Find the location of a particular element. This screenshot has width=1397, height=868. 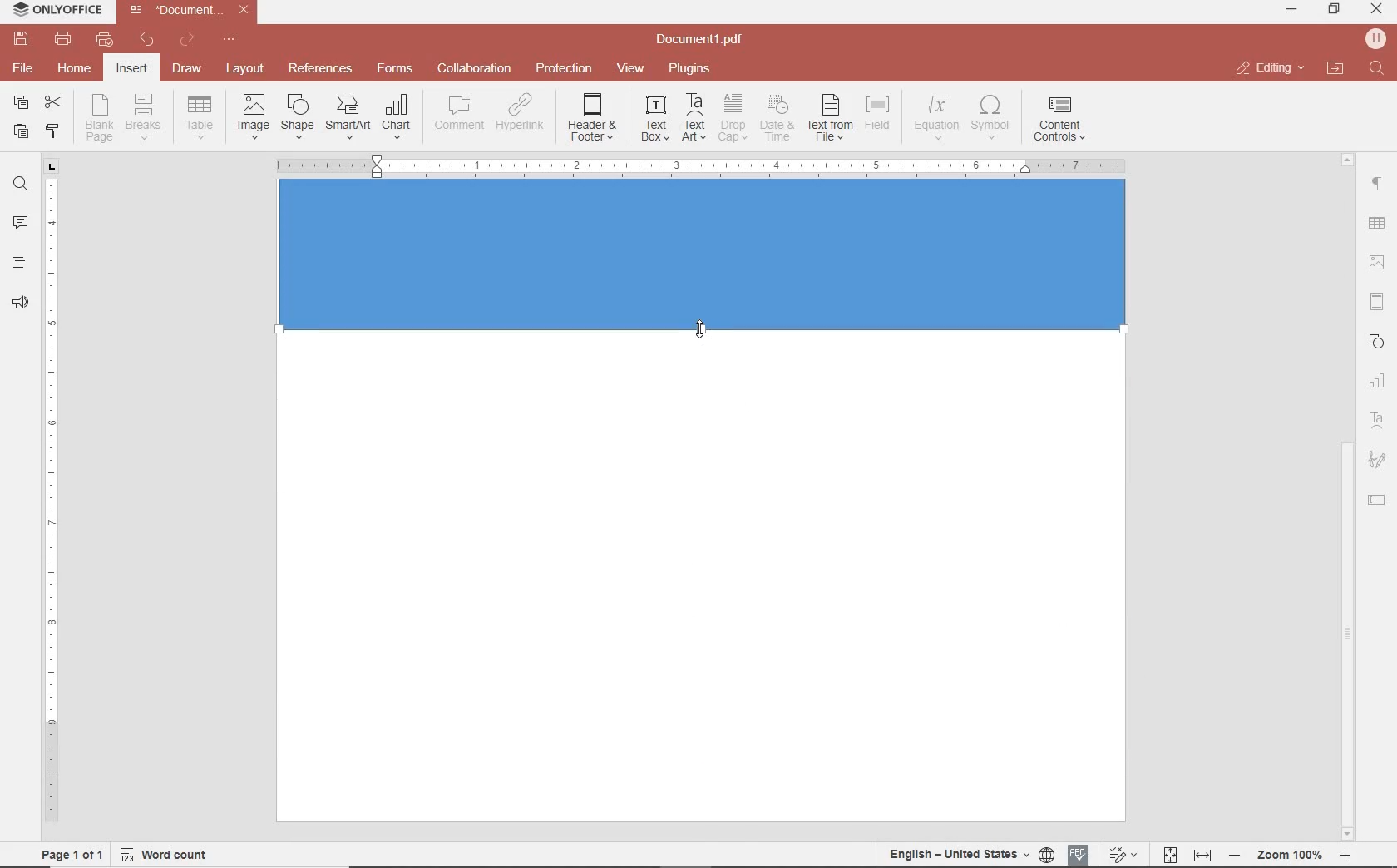

spell checking is located at coordinates (1079, 855).